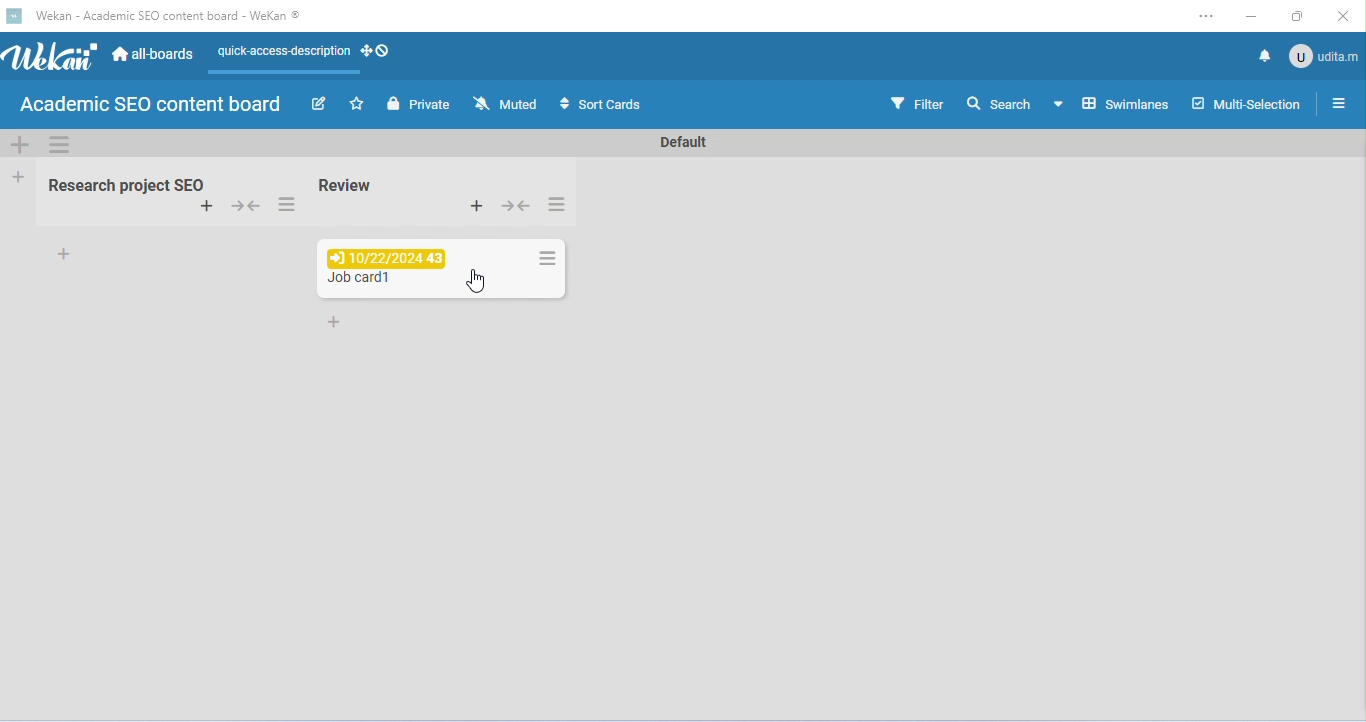  I want to click on minimize, so click(1251, 18).